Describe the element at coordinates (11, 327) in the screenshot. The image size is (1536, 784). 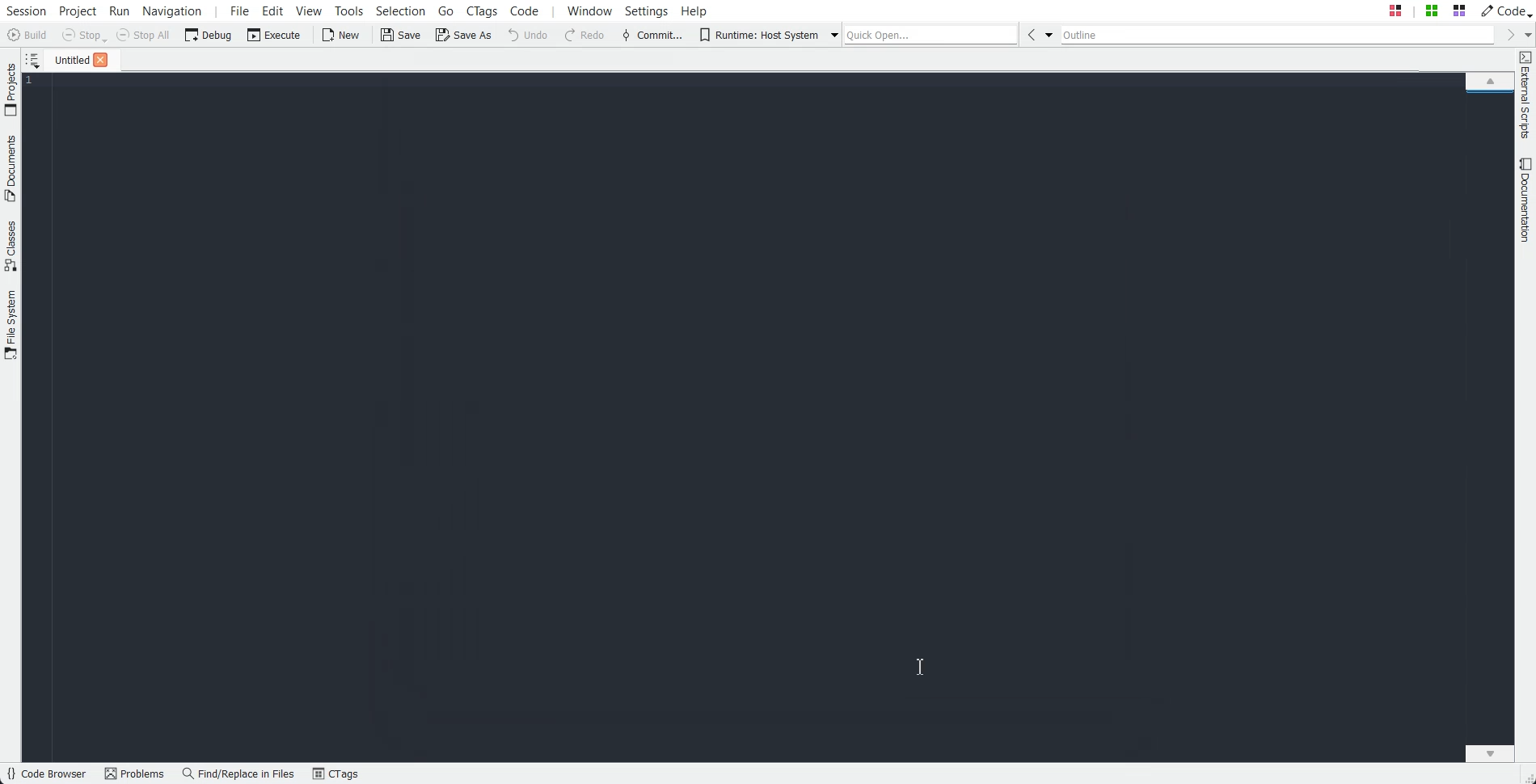
I see `File System` at that location.